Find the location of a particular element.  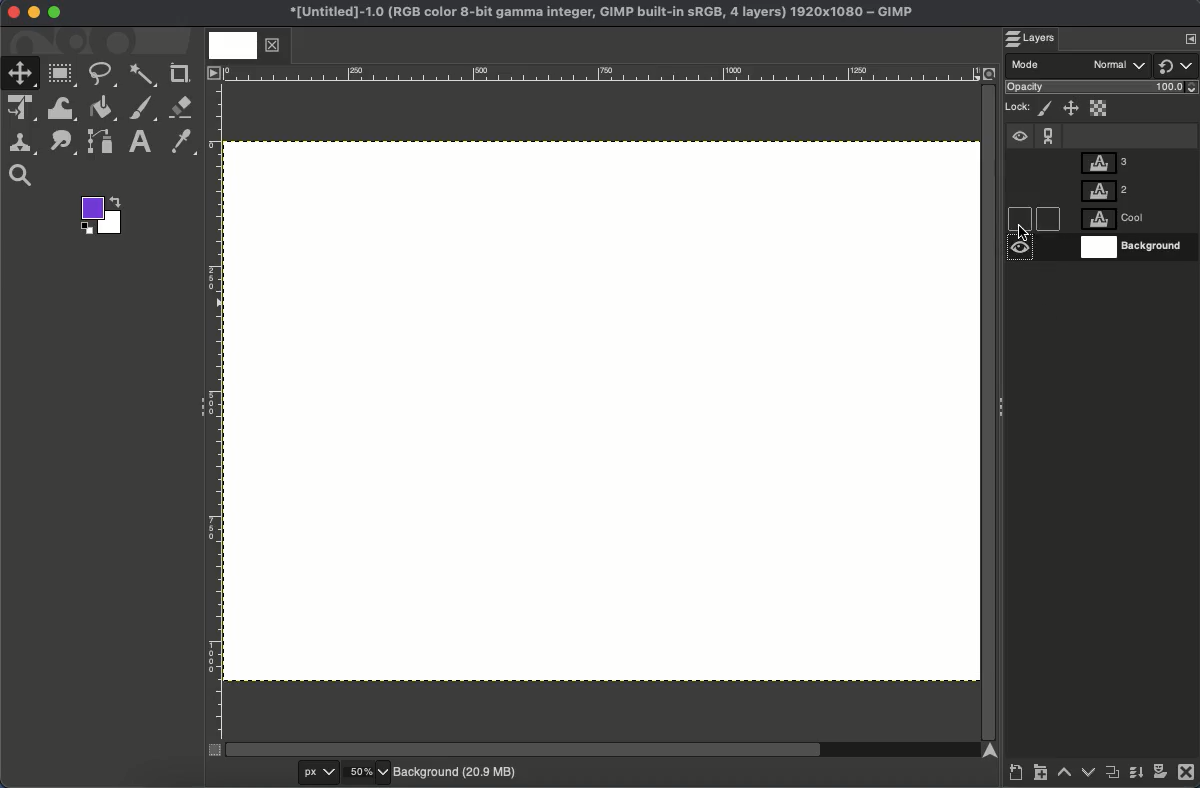

Path is located at coordinates (103, 145).